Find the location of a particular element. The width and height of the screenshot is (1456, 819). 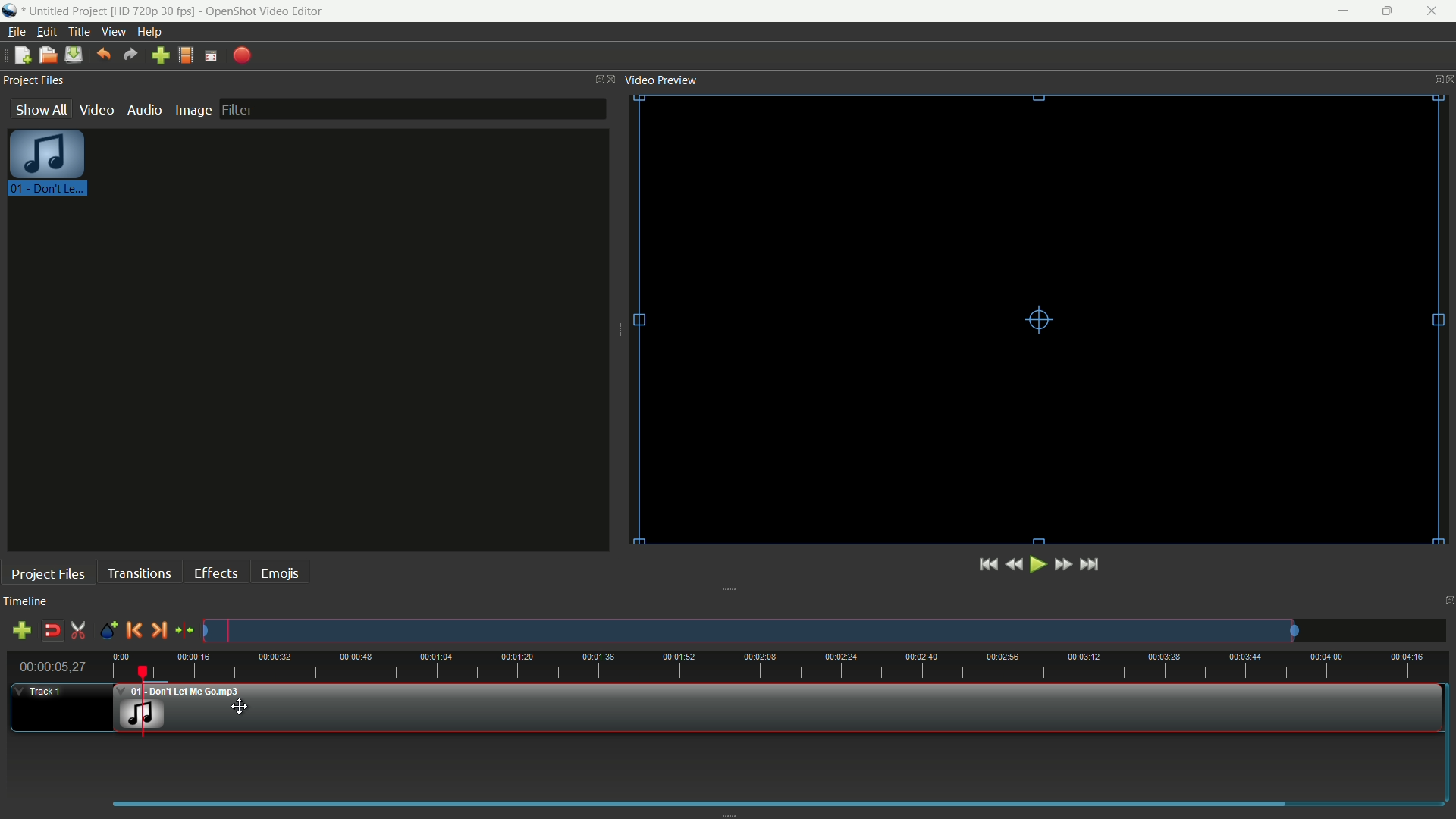

project name is located at coordinates (69, 11).